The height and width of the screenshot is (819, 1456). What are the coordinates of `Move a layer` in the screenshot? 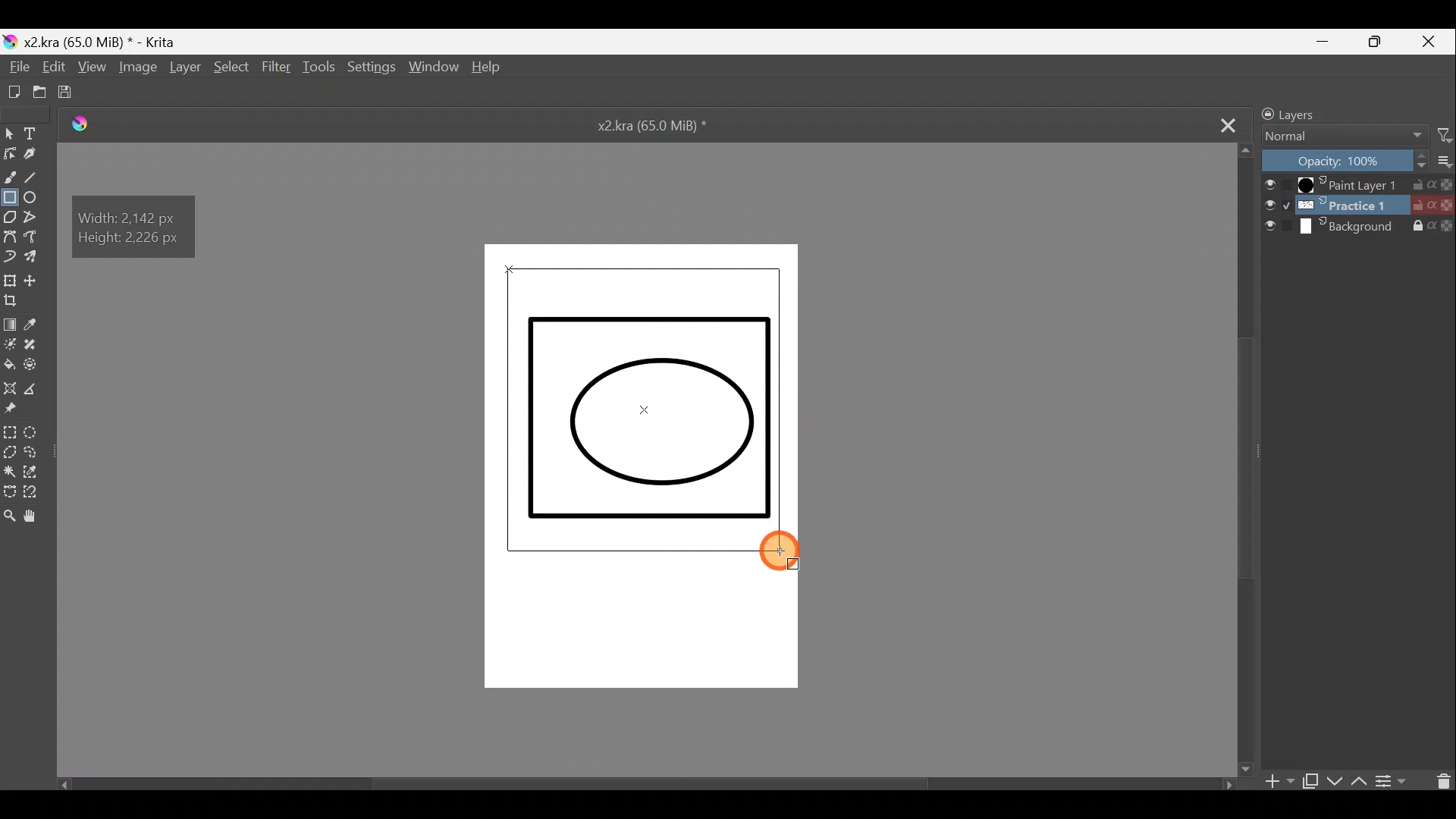 It's located at (33, 278).